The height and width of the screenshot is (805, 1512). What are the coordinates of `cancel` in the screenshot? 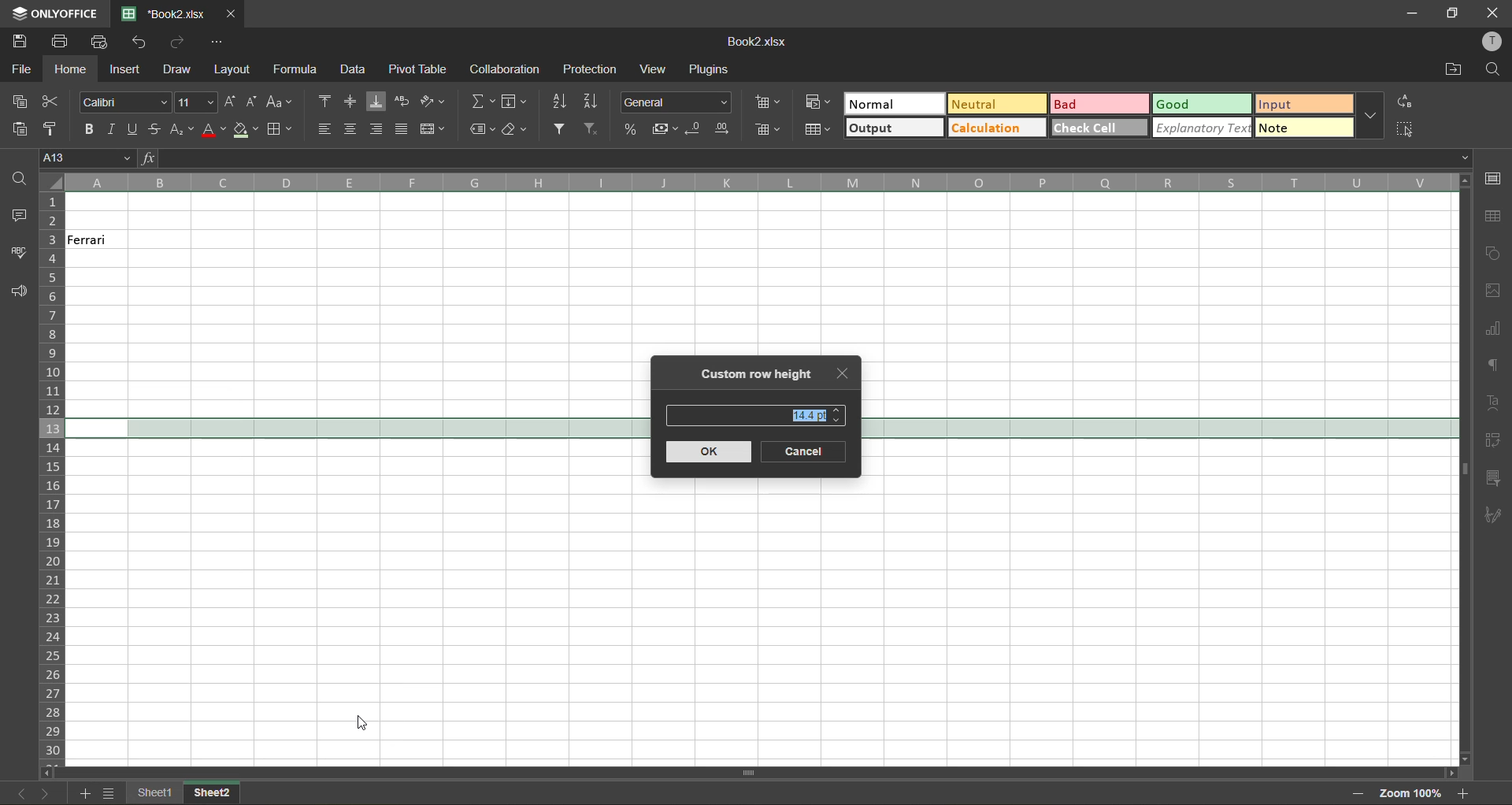 It's located at (806, 452).